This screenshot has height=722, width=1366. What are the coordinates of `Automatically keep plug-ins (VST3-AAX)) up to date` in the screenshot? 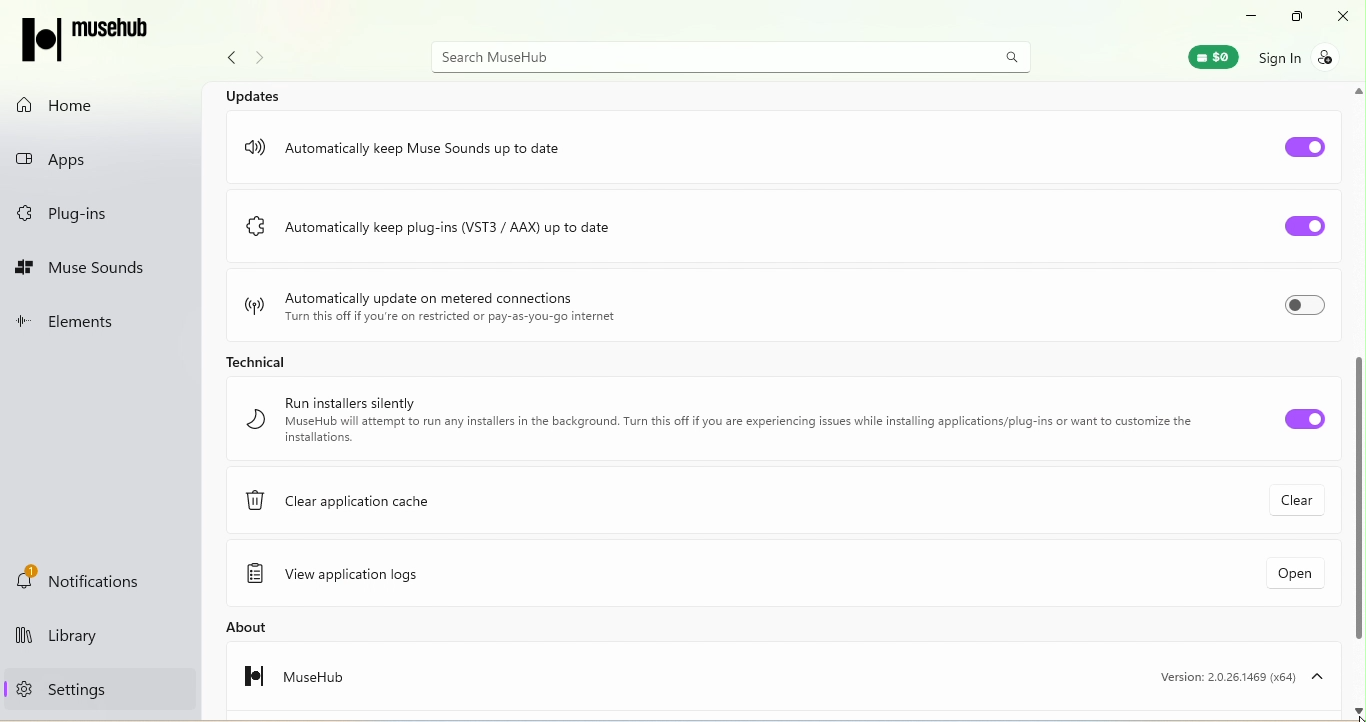 It's located at (482, 232).